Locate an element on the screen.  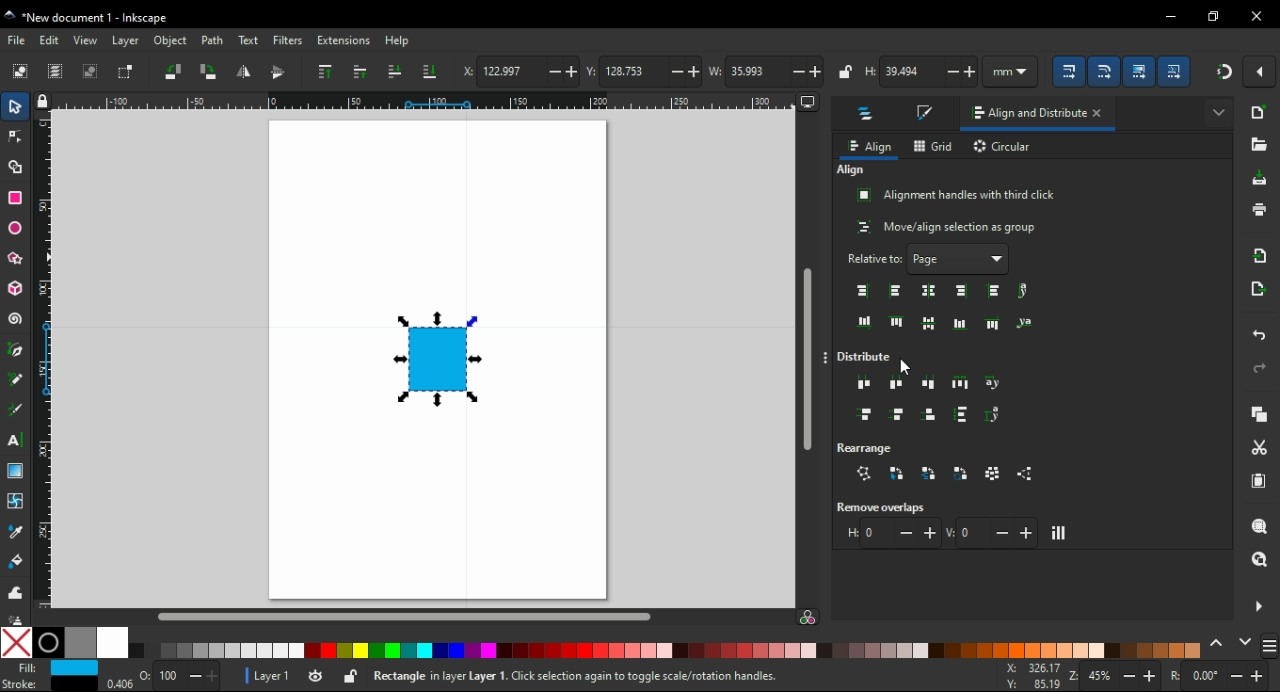
rotate object 90 is located at coordinates (210, 71).